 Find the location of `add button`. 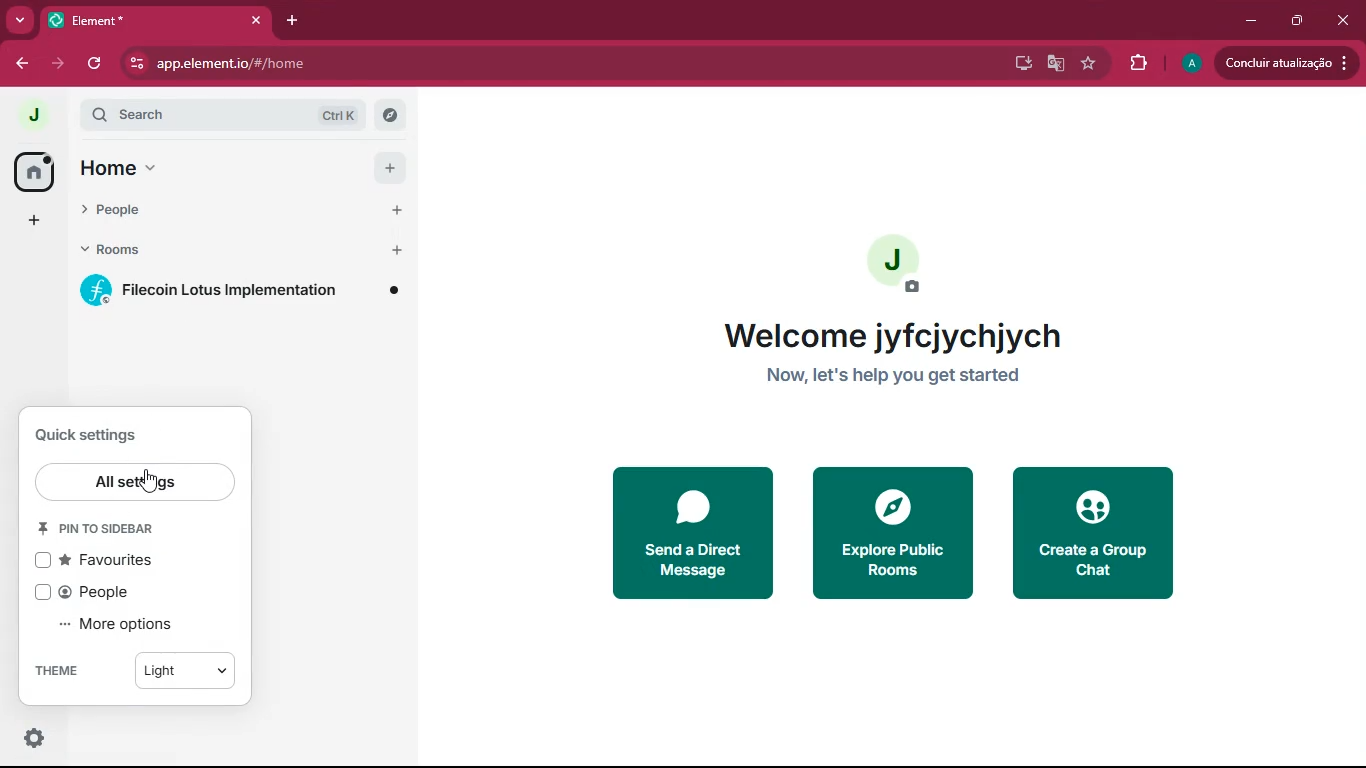

add button is located at coordinates (390, 165).